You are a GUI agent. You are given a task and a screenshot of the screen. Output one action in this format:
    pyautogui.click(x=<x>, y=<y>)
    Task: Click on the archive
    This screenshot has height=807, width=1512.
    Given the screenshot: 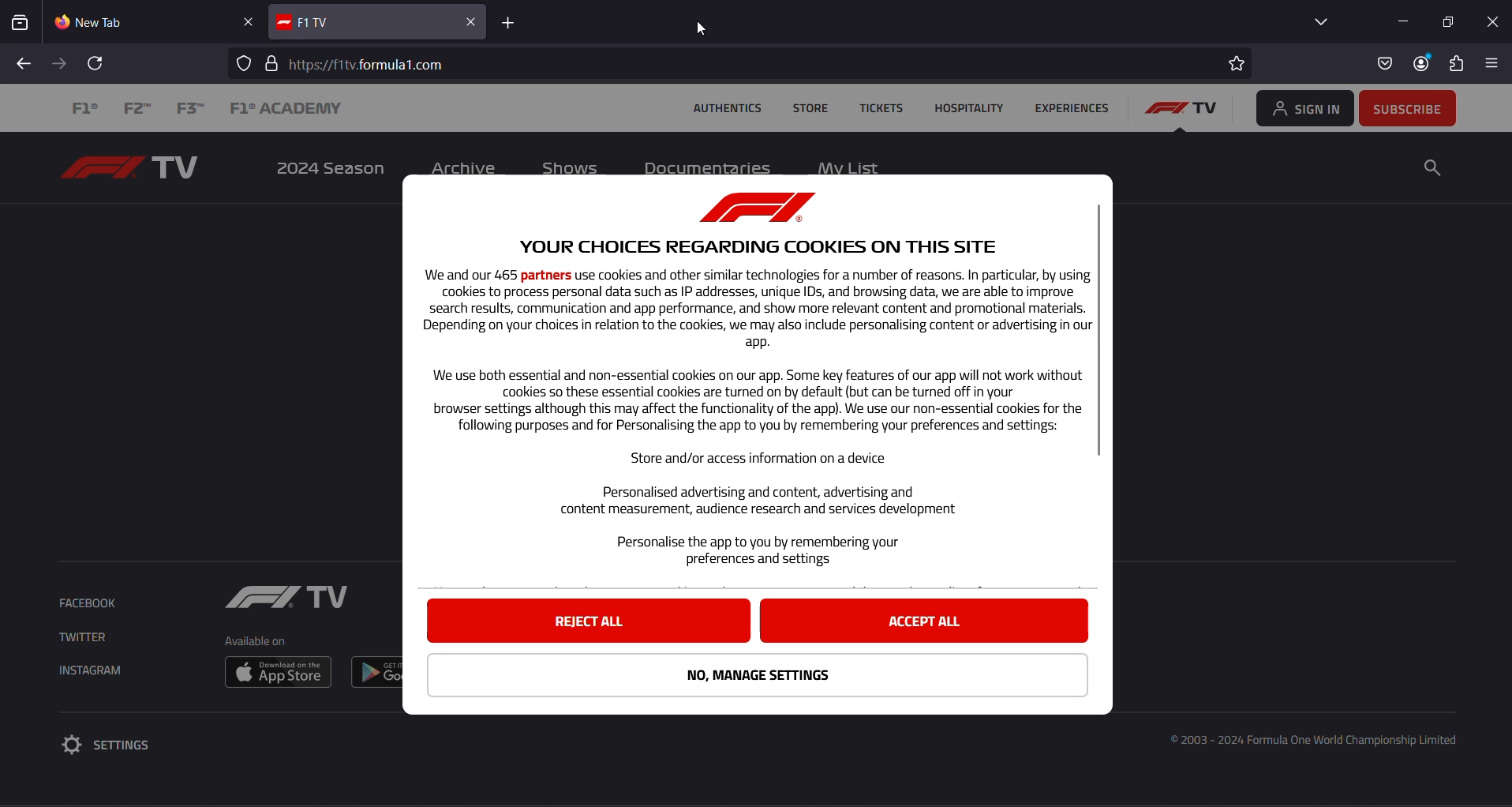 What is the action you would take?
    pyautogui.click(x=465, y=167)
    